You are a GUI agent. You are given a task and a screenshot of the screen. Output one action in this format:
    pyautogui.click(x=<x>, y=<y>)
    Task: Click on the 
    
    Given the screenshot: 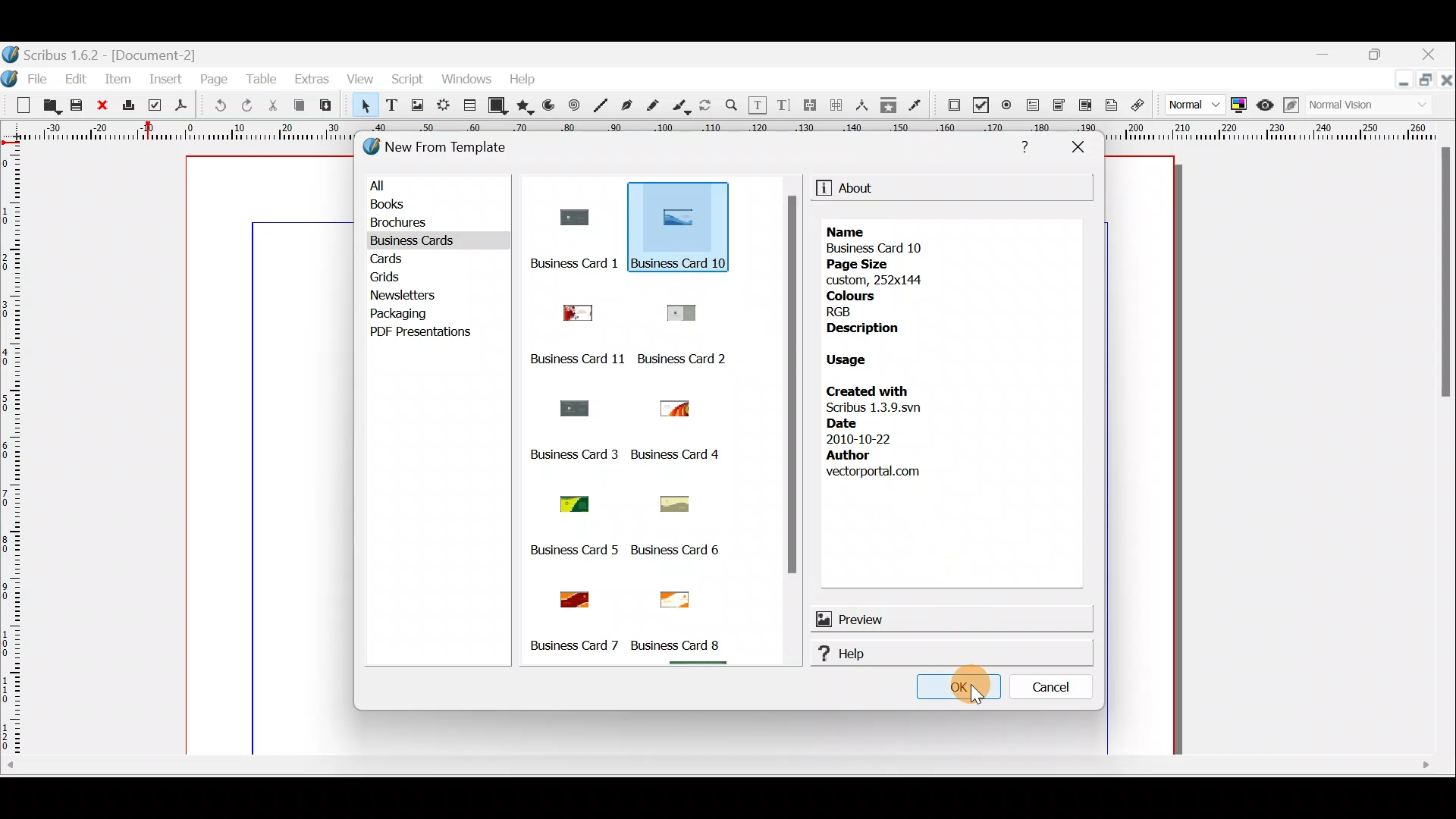 What is the action you would take?
    pyautogui.click(x=851, y=231)
    